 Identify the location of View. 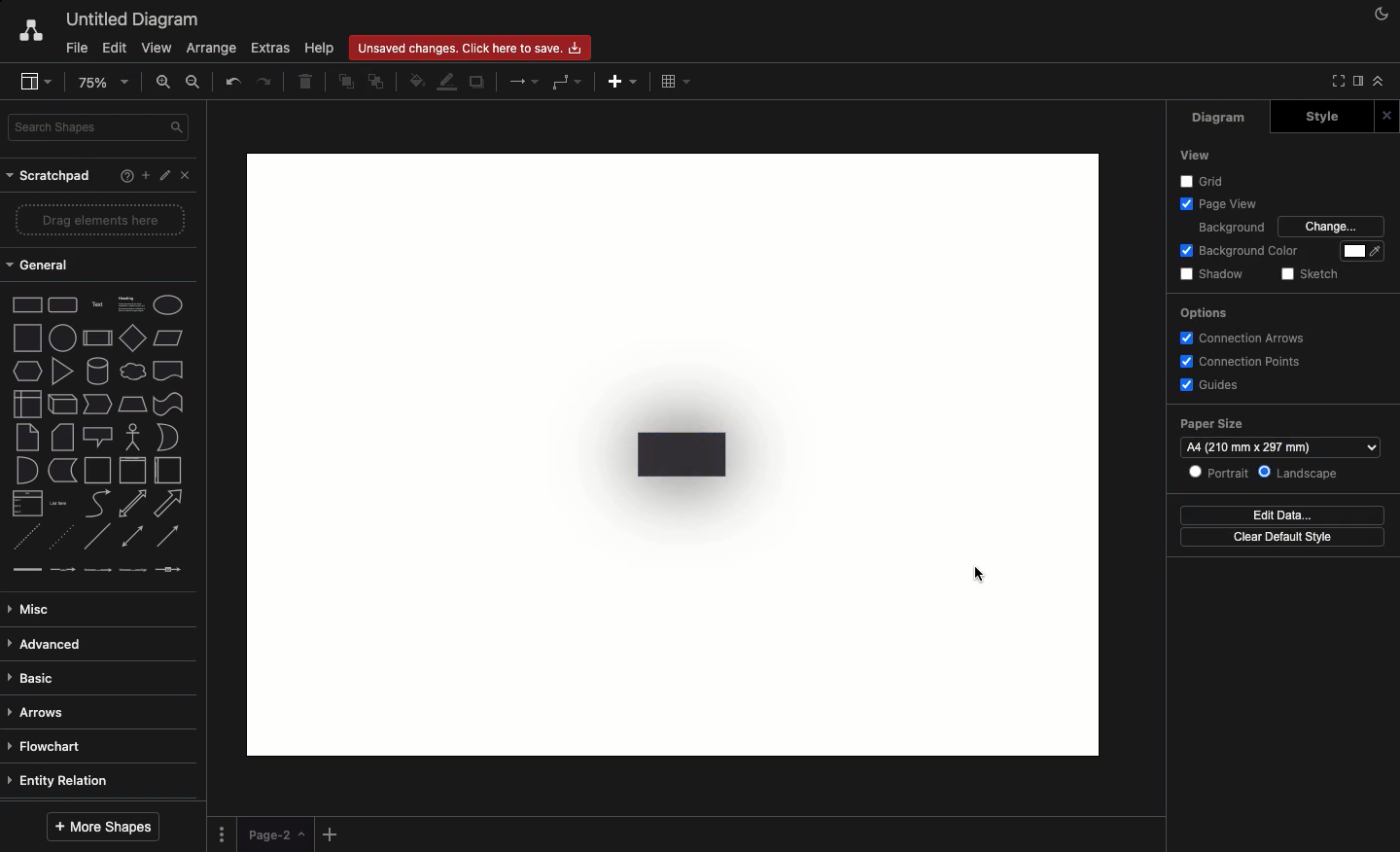
(158, 48).